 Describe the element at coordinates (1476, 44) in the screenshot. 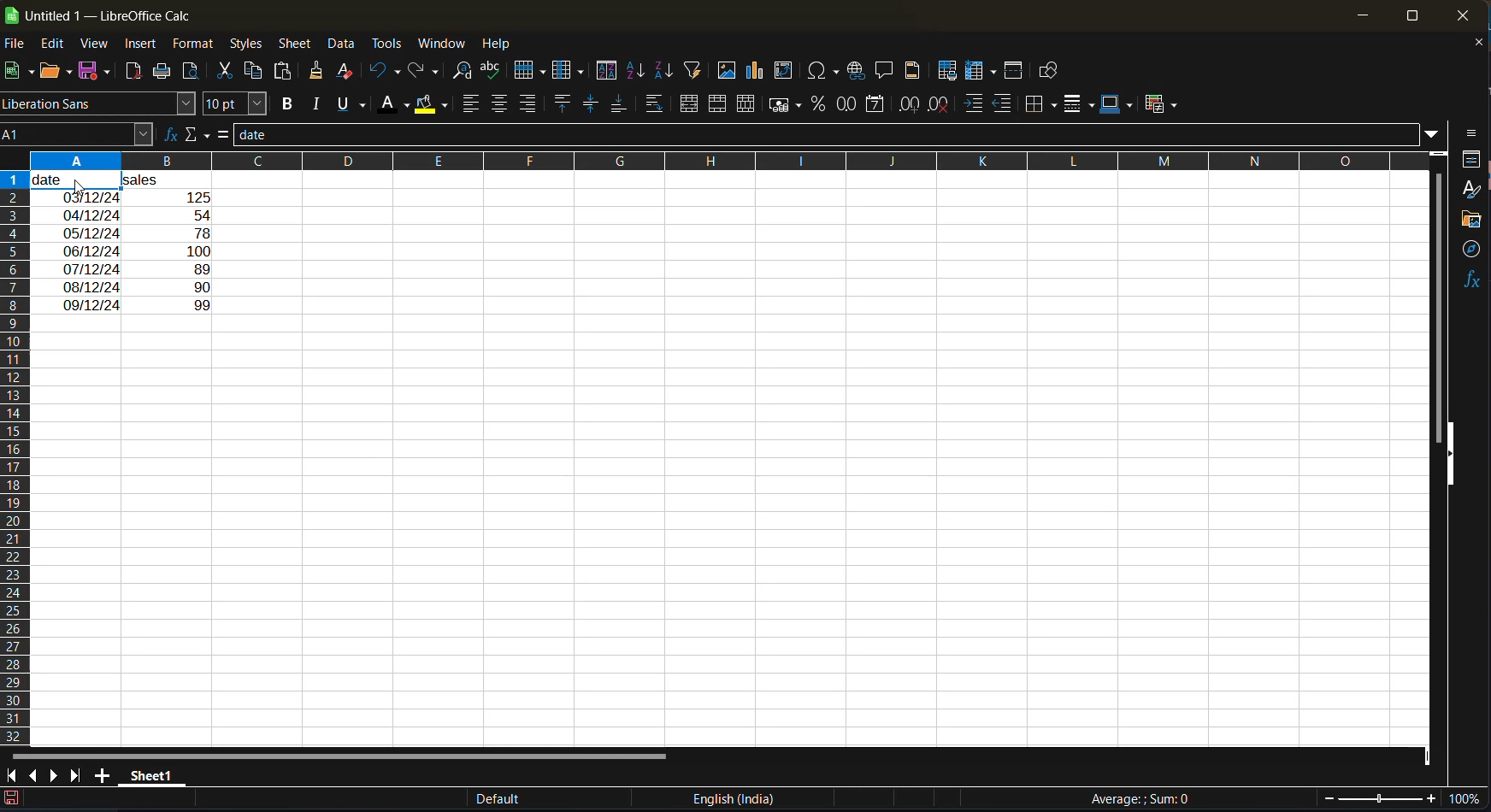

I see `close document` at that location.